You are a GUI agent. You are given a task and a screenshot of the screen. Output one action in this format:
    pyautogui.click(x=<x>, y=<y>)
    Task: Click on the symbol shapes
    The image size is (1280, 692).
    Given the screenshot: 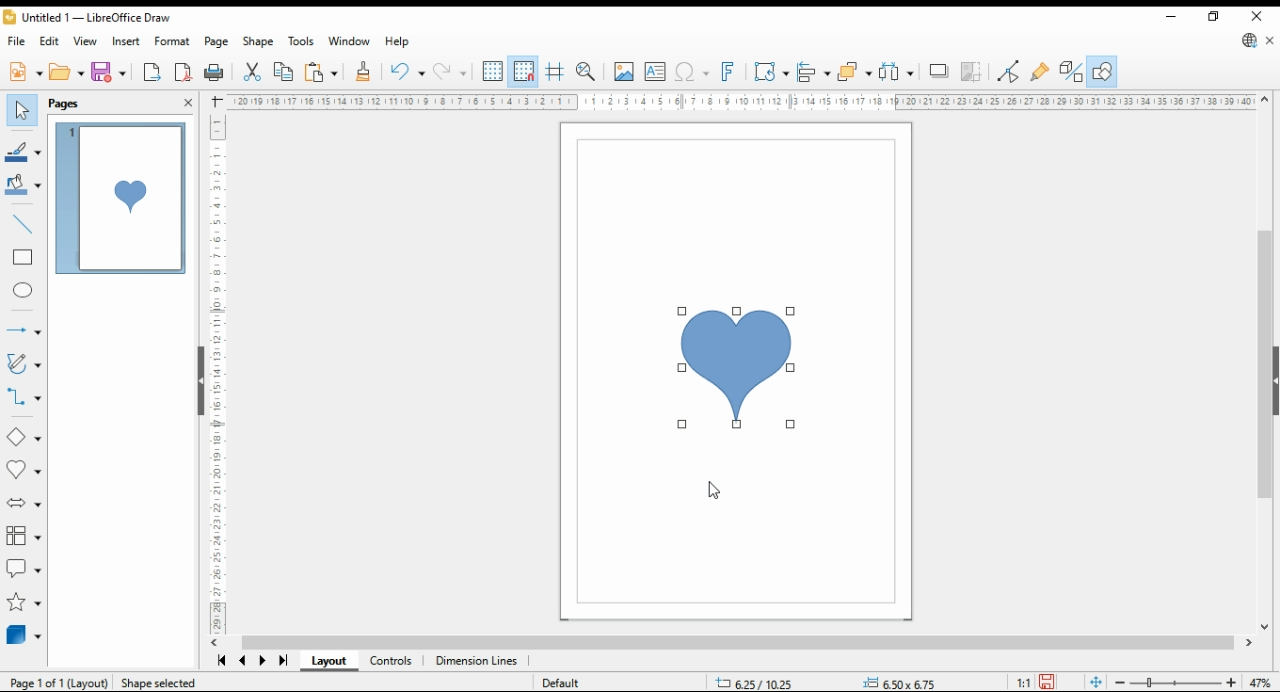 What is the action you would take?
    pyautogui.click(x=22, y=471)
    